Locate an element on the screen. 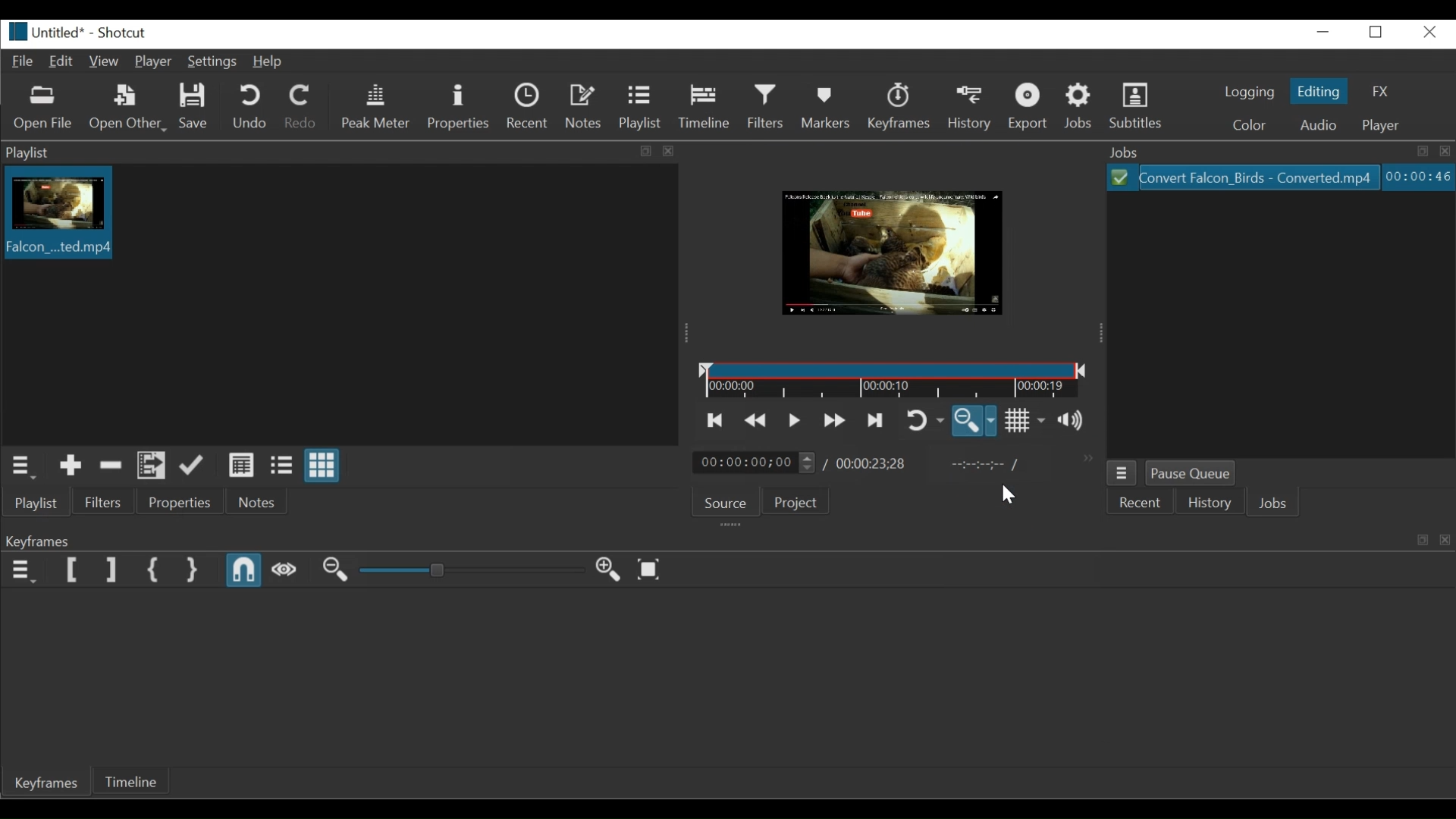  Playlist is located at coordinates (640, 107).